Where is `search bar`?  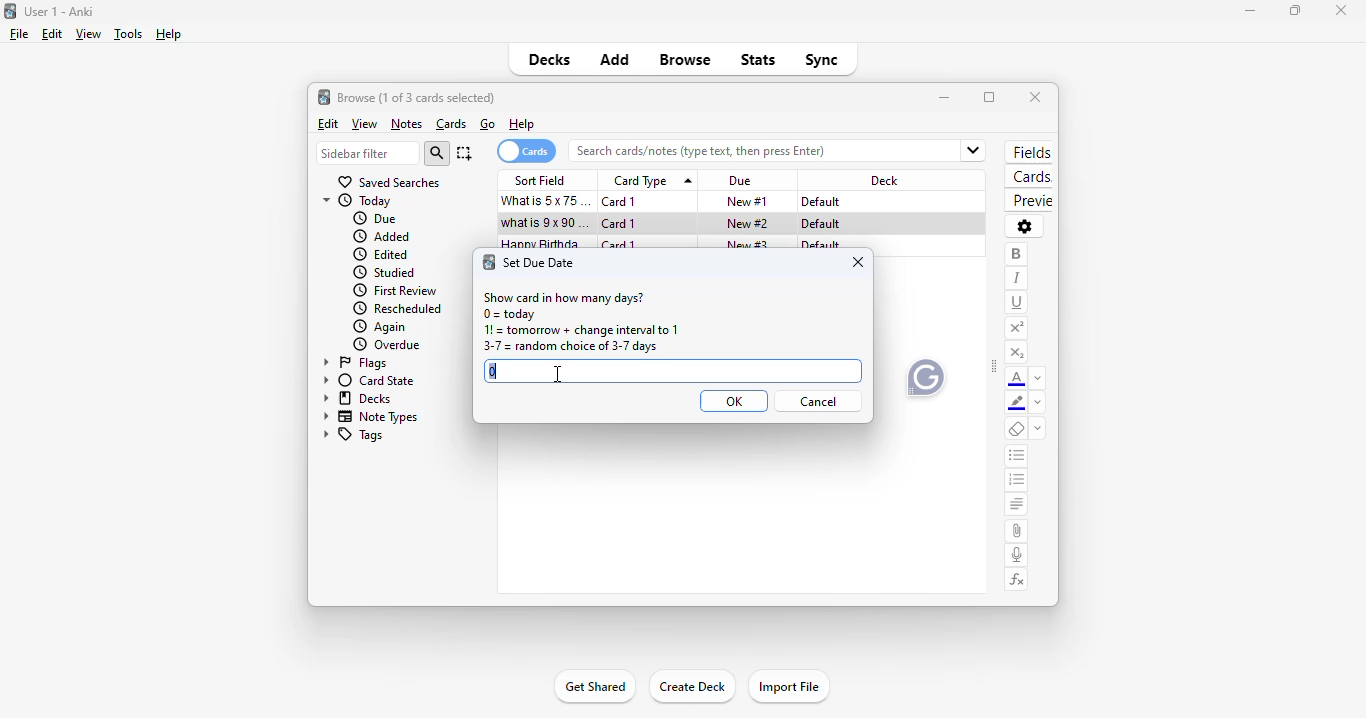 search bar is located at coordinates (756, 150).